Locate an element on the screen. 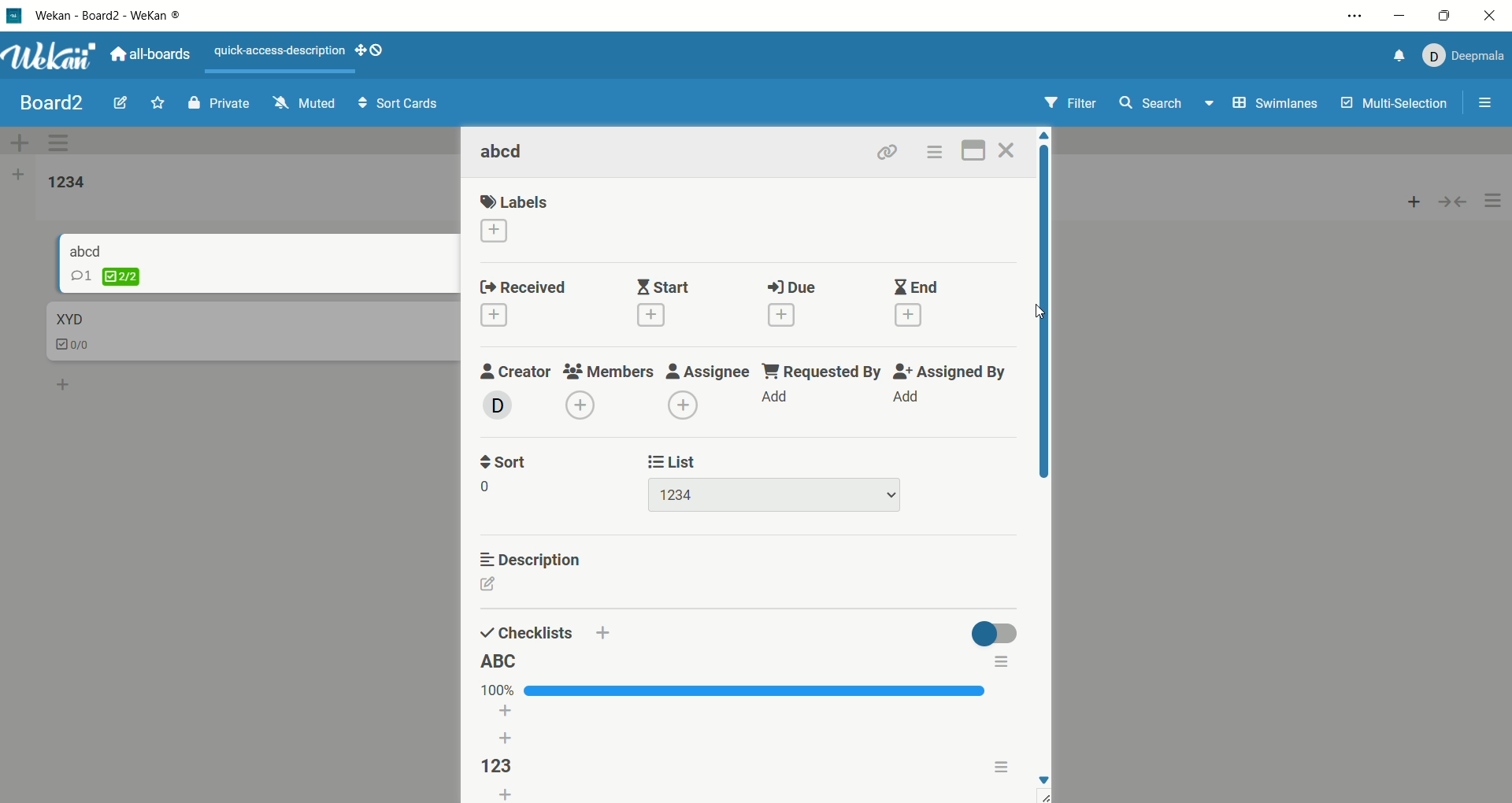 Image resolution: width=1512 pixels, height=803 pixels. close is located at coordinates (1488, 18).